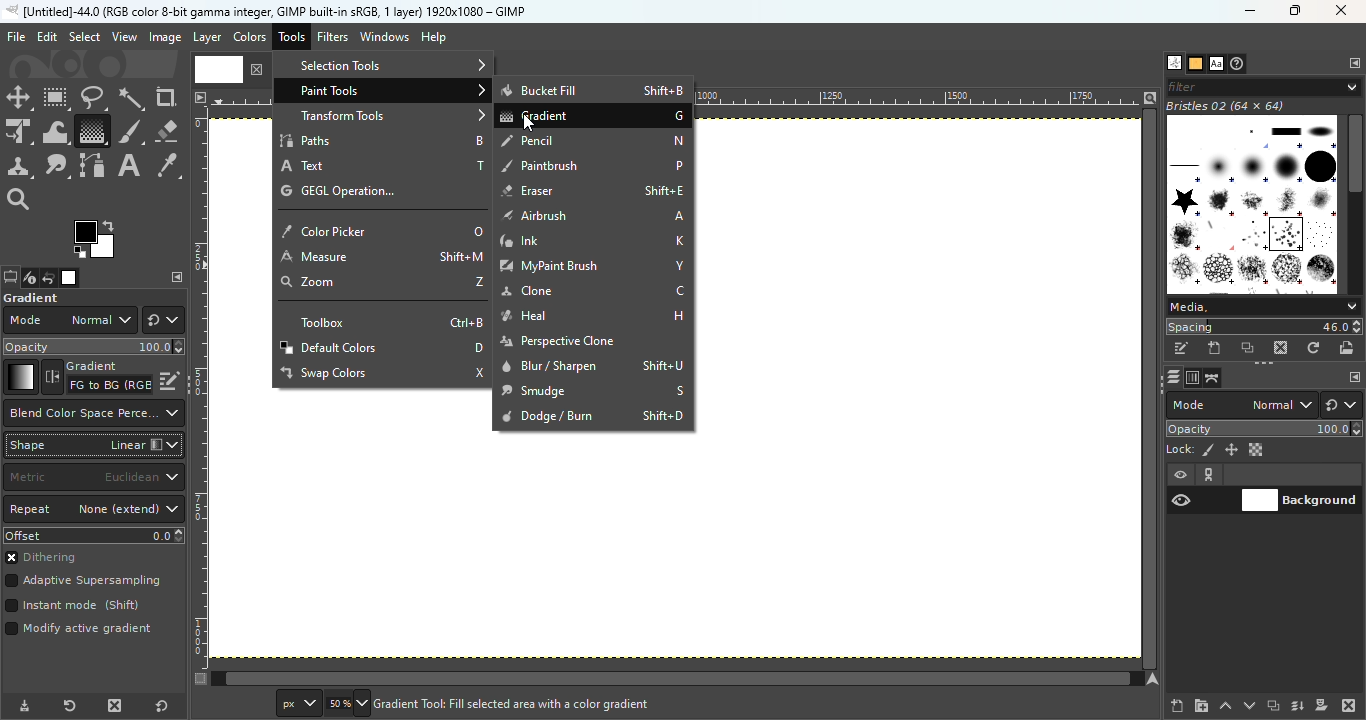 This screenshot has height=720, width=1366. I want to click on Instant mode, so click(71, 607).